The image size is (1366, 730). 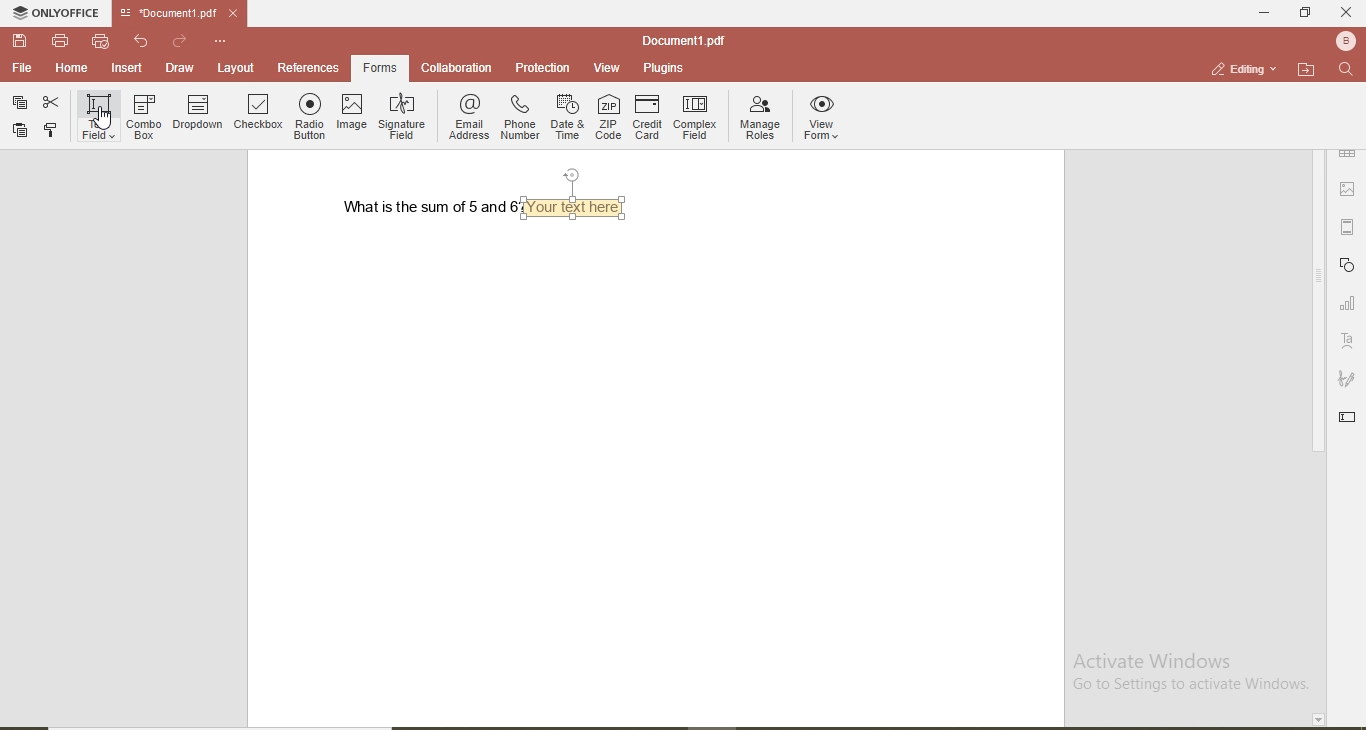 What do you see at coordinates (519, 118) in the screenshot?
I see `phone number` at bounding box center [519, 118].